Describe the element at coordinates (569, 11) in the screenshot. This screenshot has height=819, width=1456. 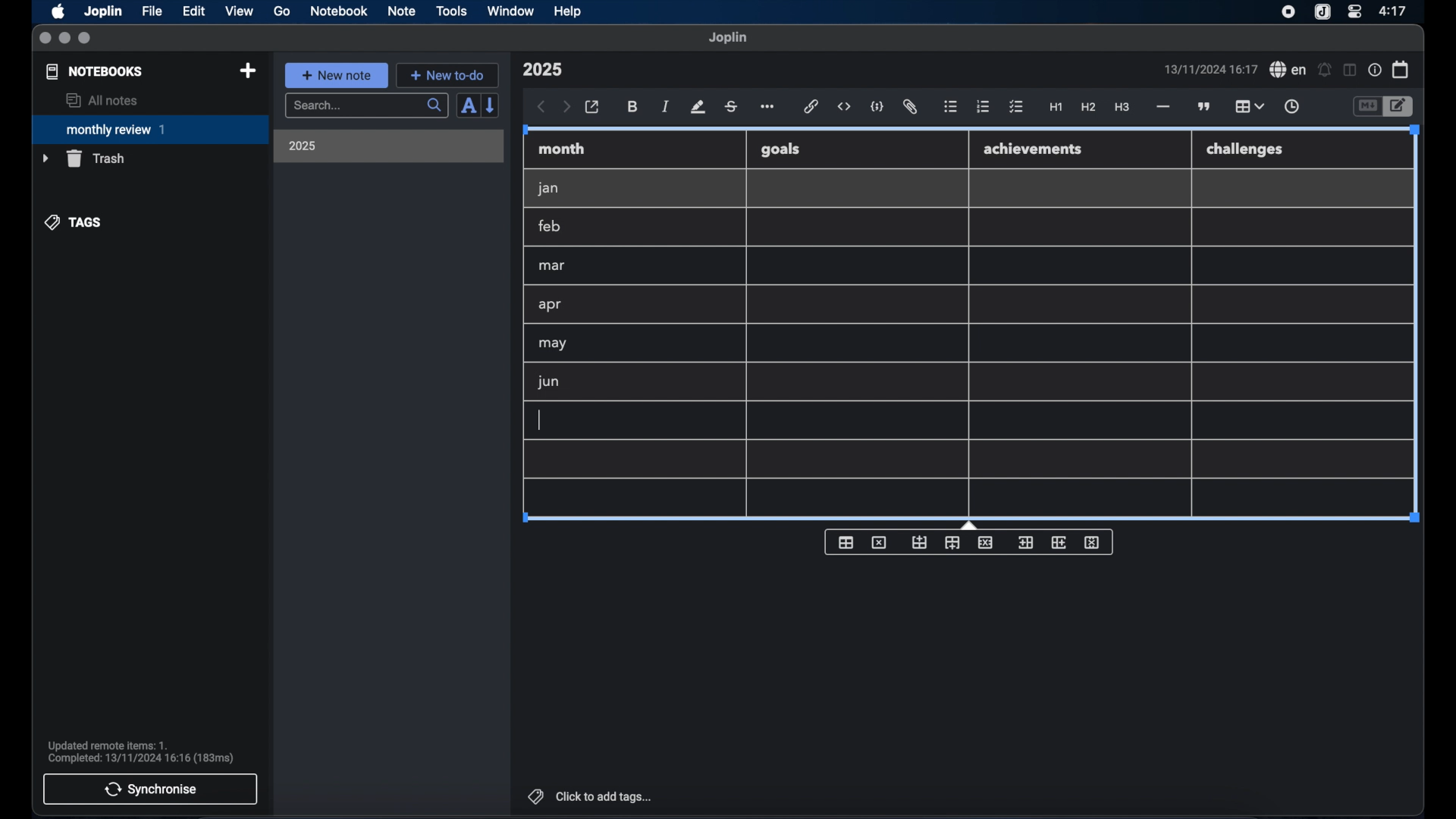
I see `help` at that location.